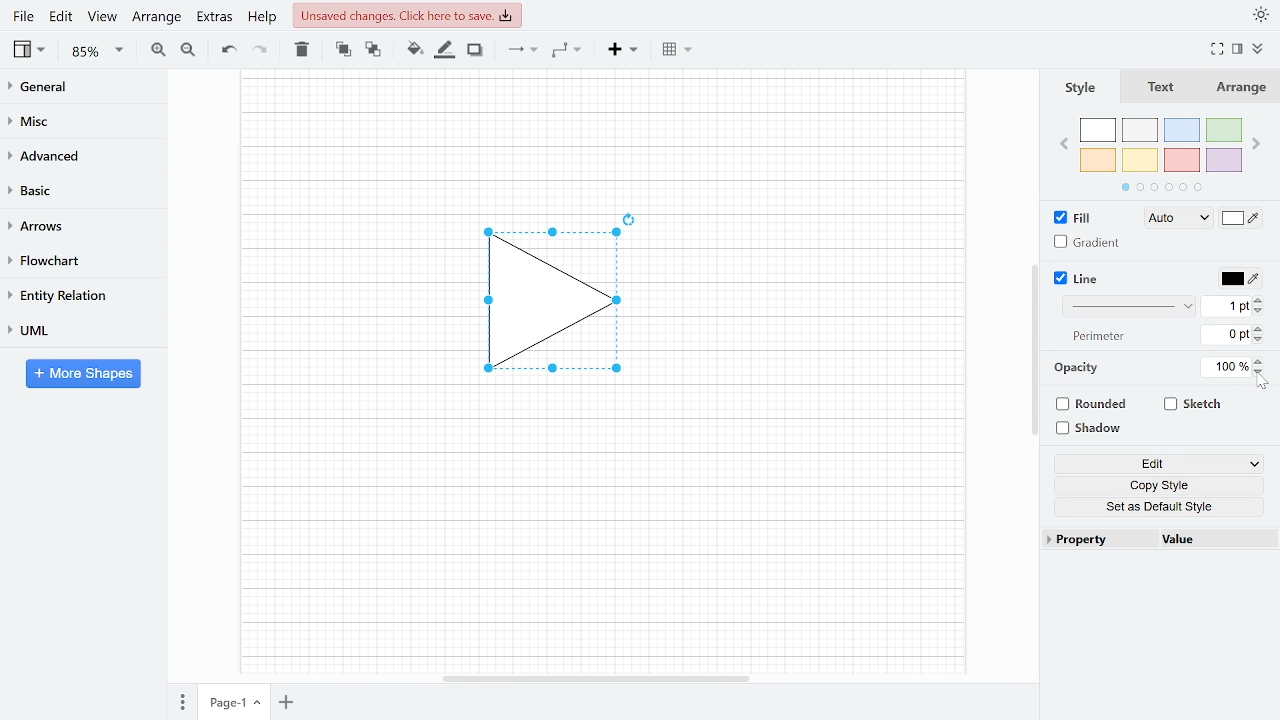  I want to click on File, so click(23, 16).